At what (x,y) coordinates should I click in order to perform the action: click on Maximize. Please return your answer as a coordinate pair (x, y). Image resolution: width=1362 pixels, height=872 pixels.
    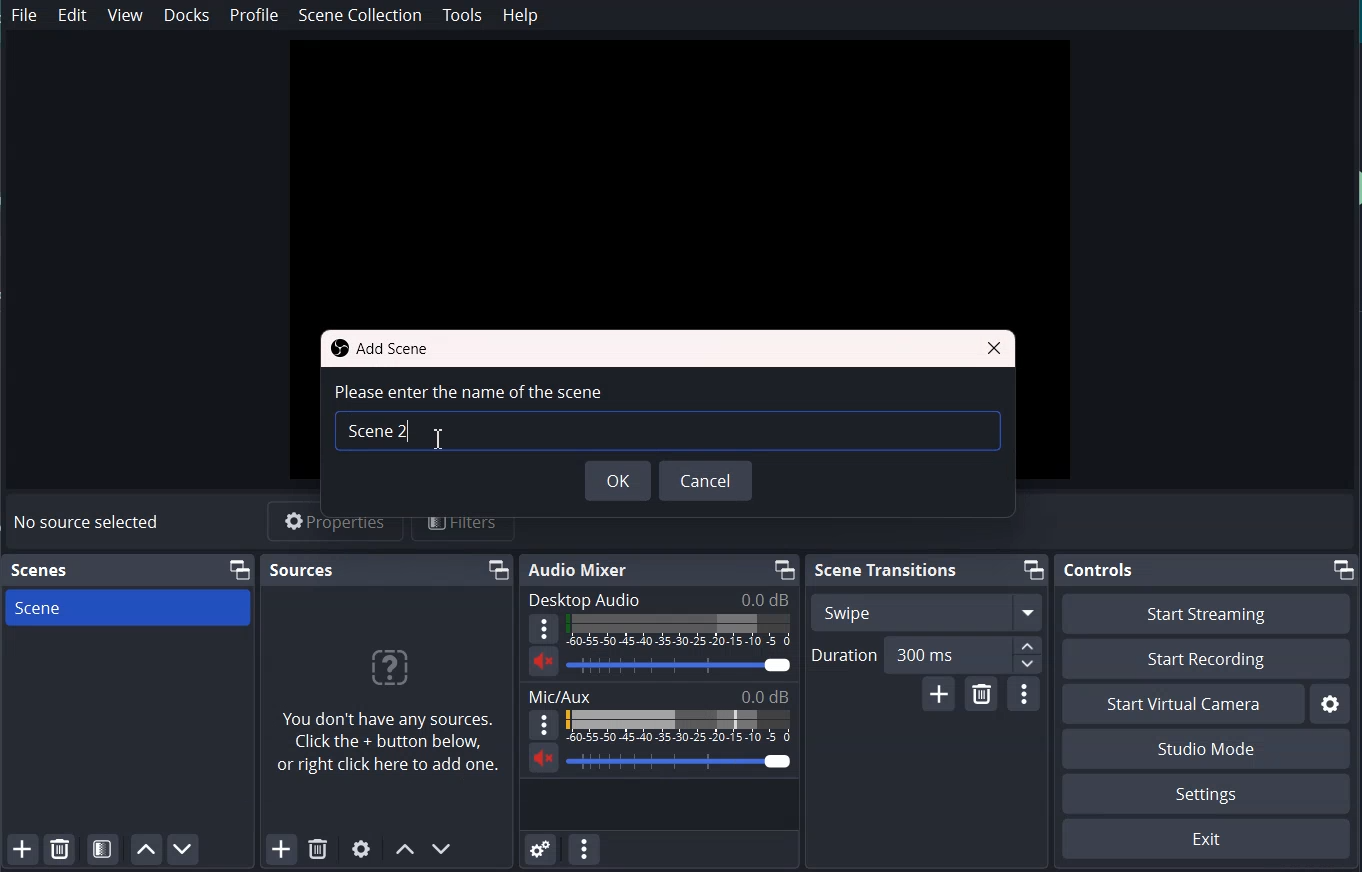
    Looking at the image, I should click on (239, 570).